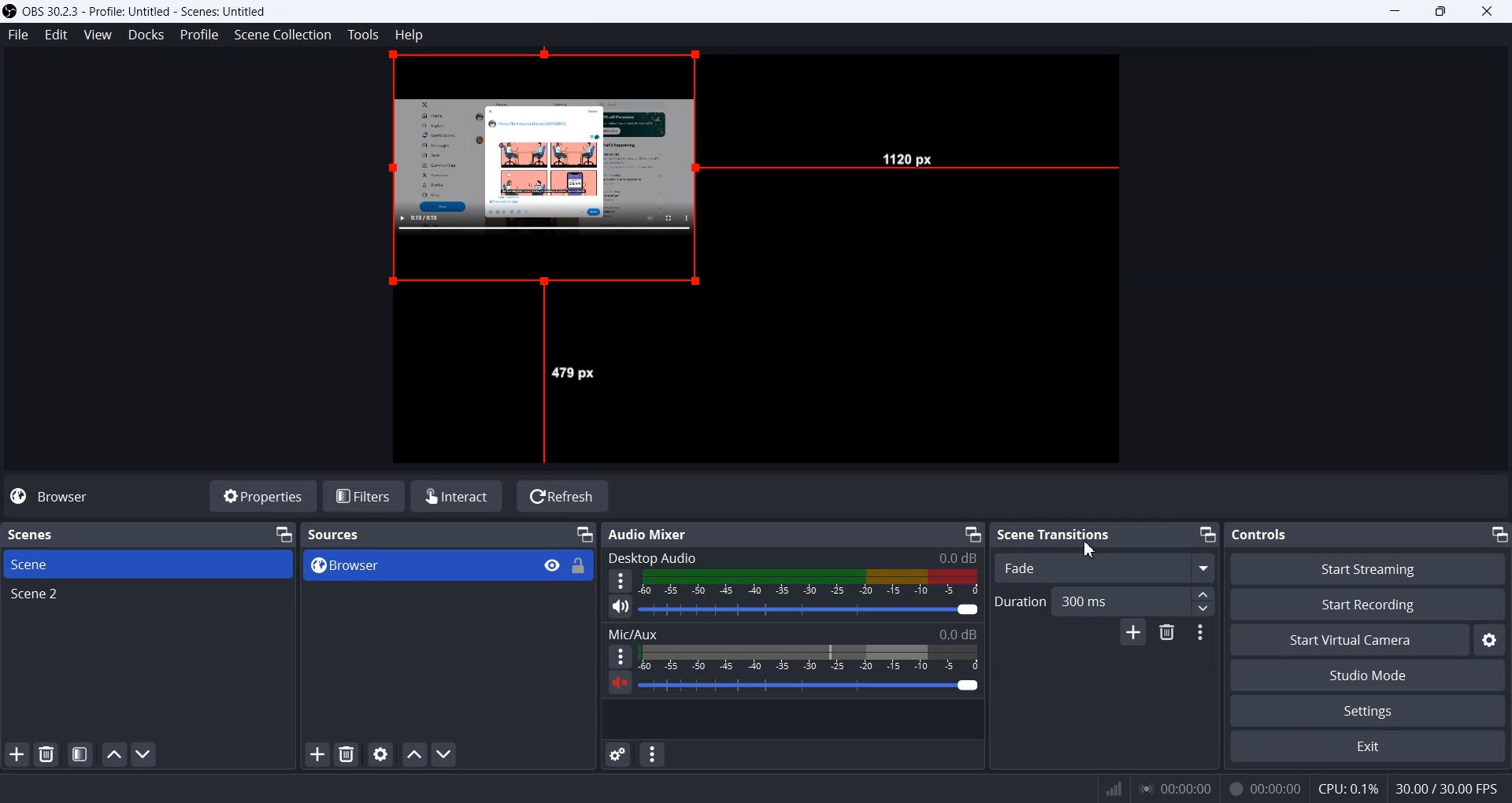  What do you see at coordinates (973, 534) in the screenshot?
I see `Minimize` at bounding box center [973, 534].